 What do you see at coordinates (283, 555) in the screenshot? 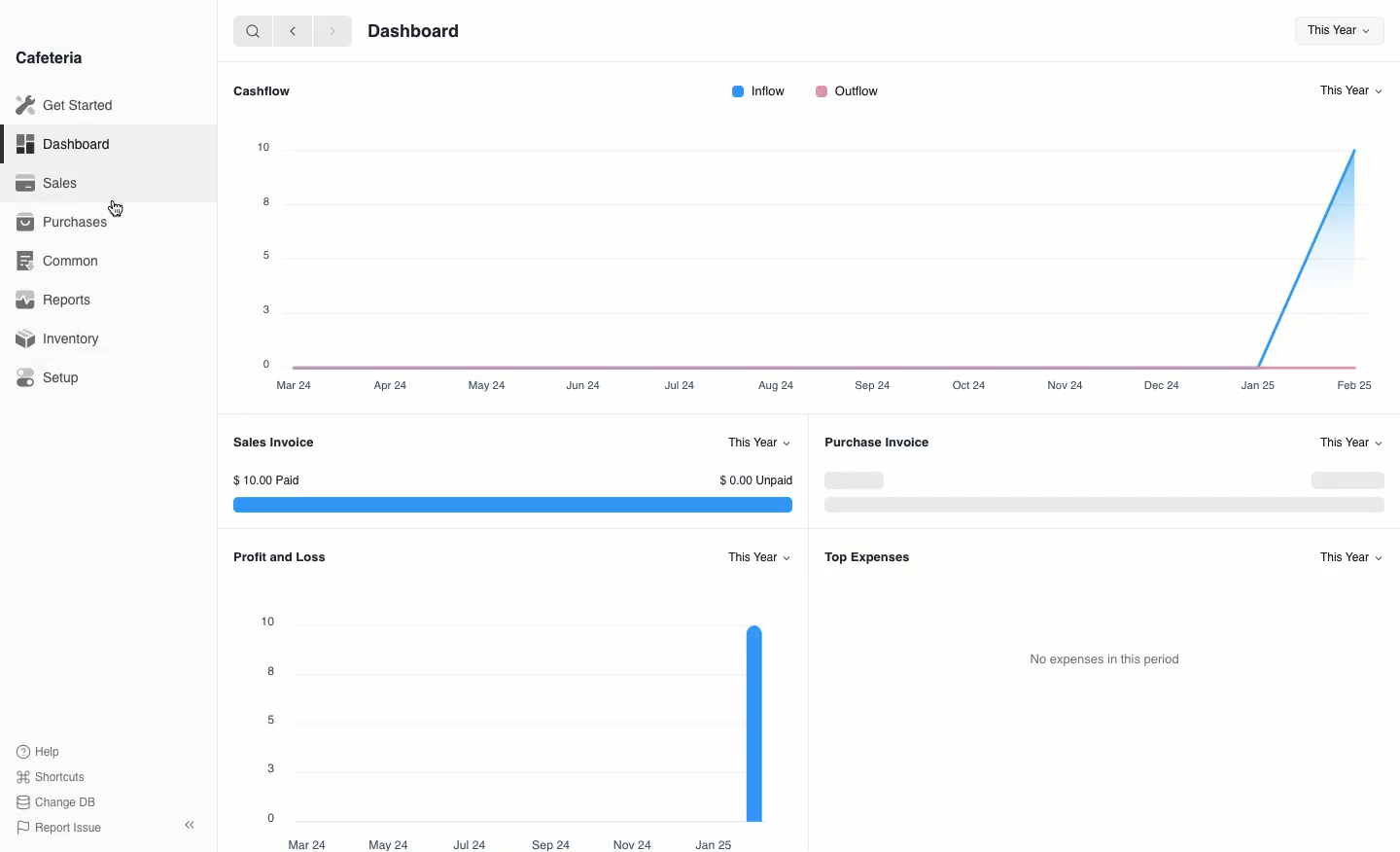
I see `Profit and Loss` at bounding box center [283, 555].